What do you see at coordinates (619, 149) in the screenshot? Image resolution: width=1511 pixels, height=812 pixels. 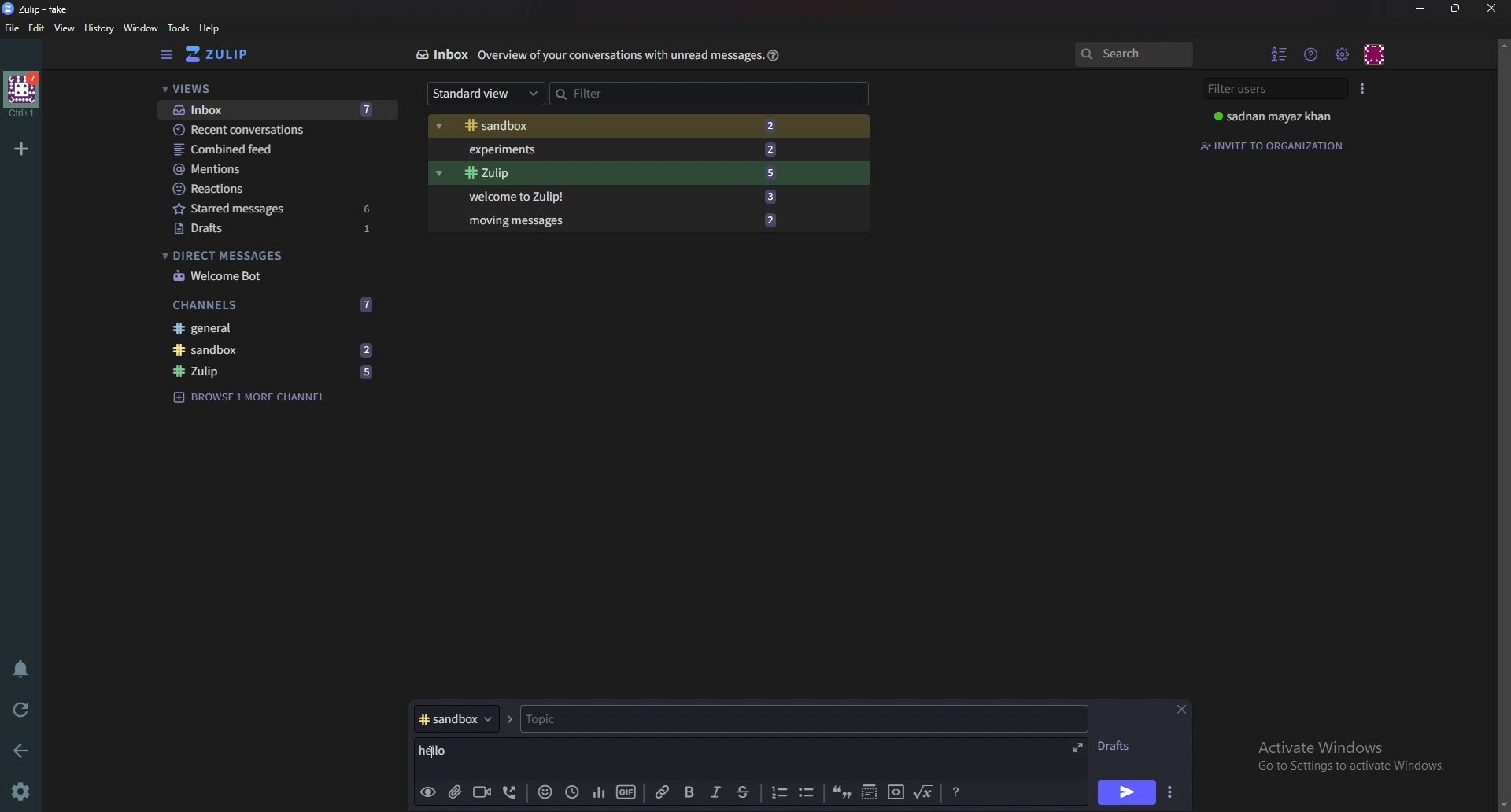 I see `Experiments 2` at bounding box center [619, 149].